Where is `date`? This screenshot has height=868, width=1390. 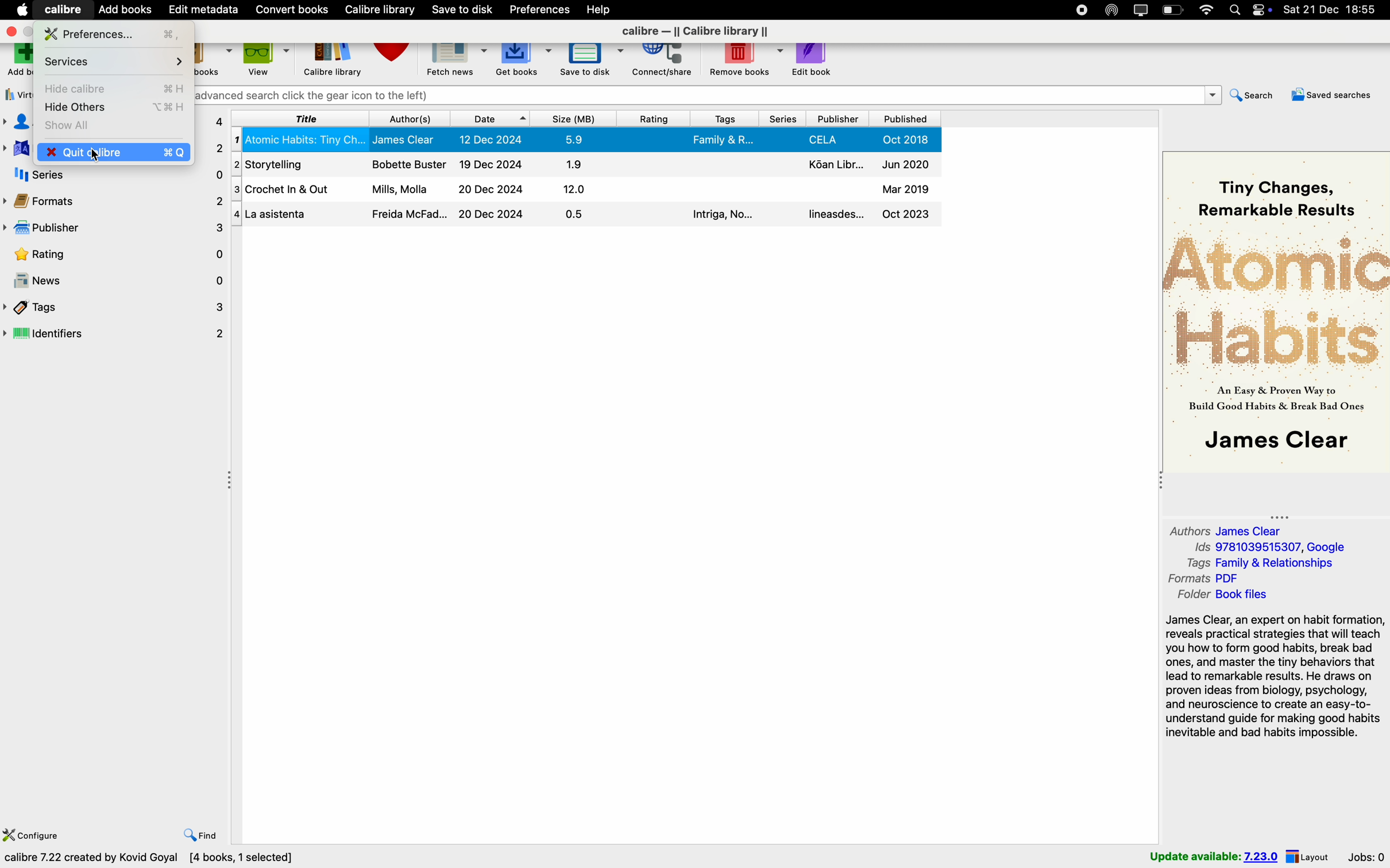
date is located at coordinates (490, 119).